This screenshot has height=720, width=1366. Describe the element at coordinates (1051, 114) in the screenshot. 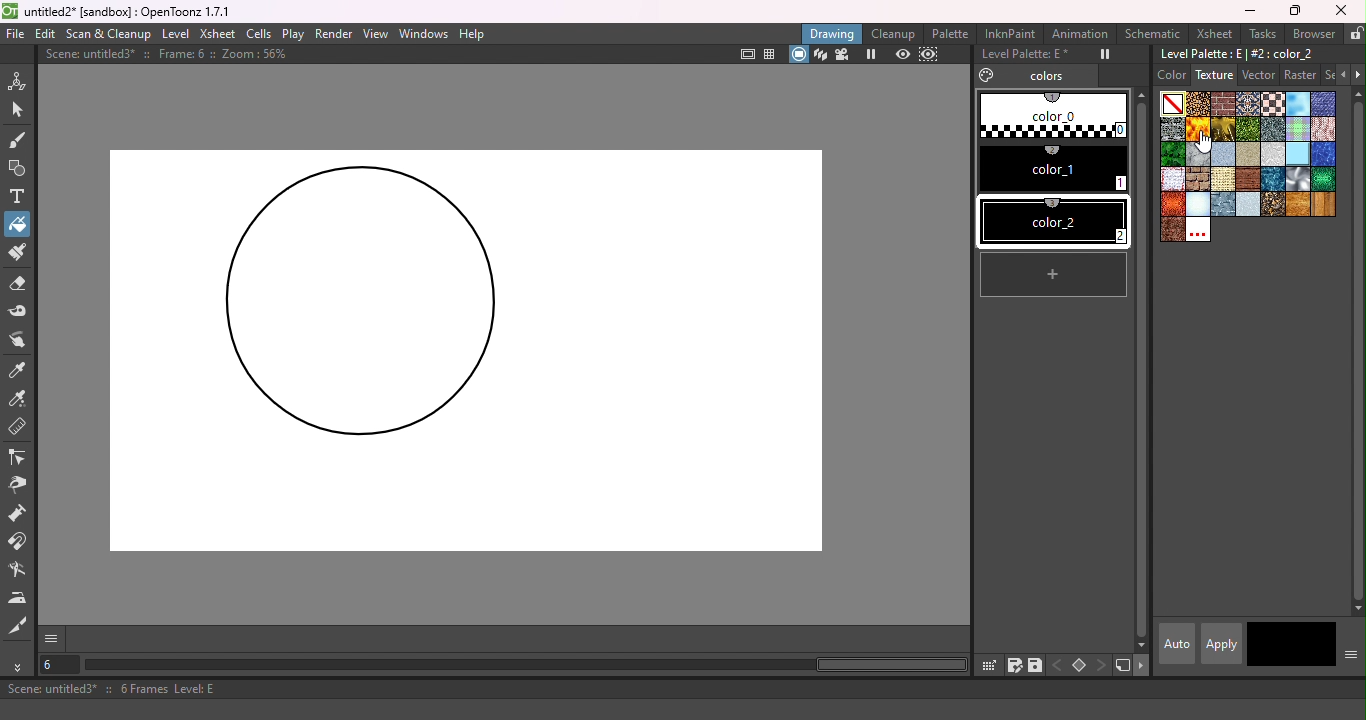

I see `#0 color_0 (1)` at that location.